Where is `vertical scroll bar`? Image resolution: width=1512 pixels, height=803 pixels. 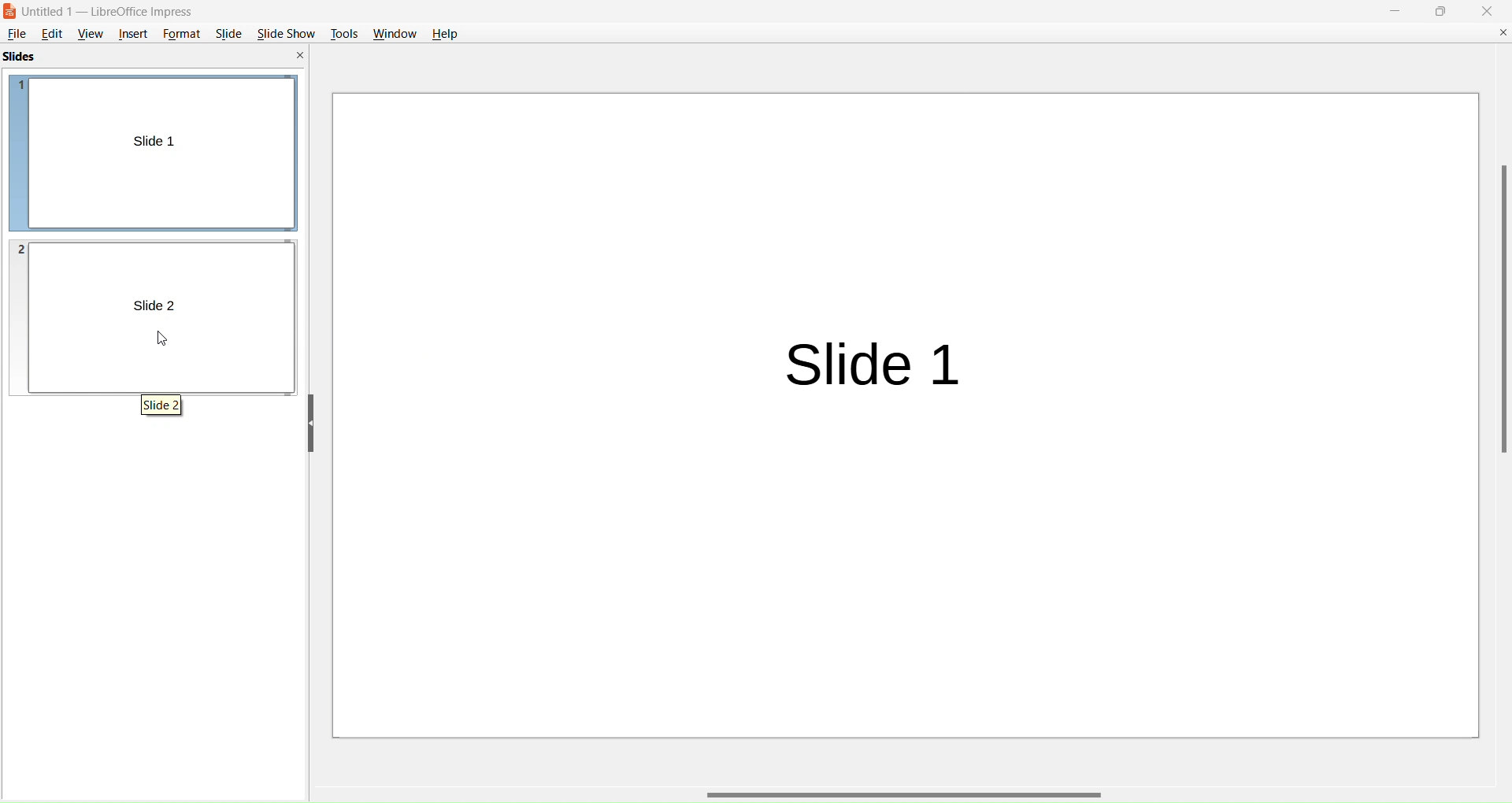
vertical scroll bar is located at coordinates (1497, 312).